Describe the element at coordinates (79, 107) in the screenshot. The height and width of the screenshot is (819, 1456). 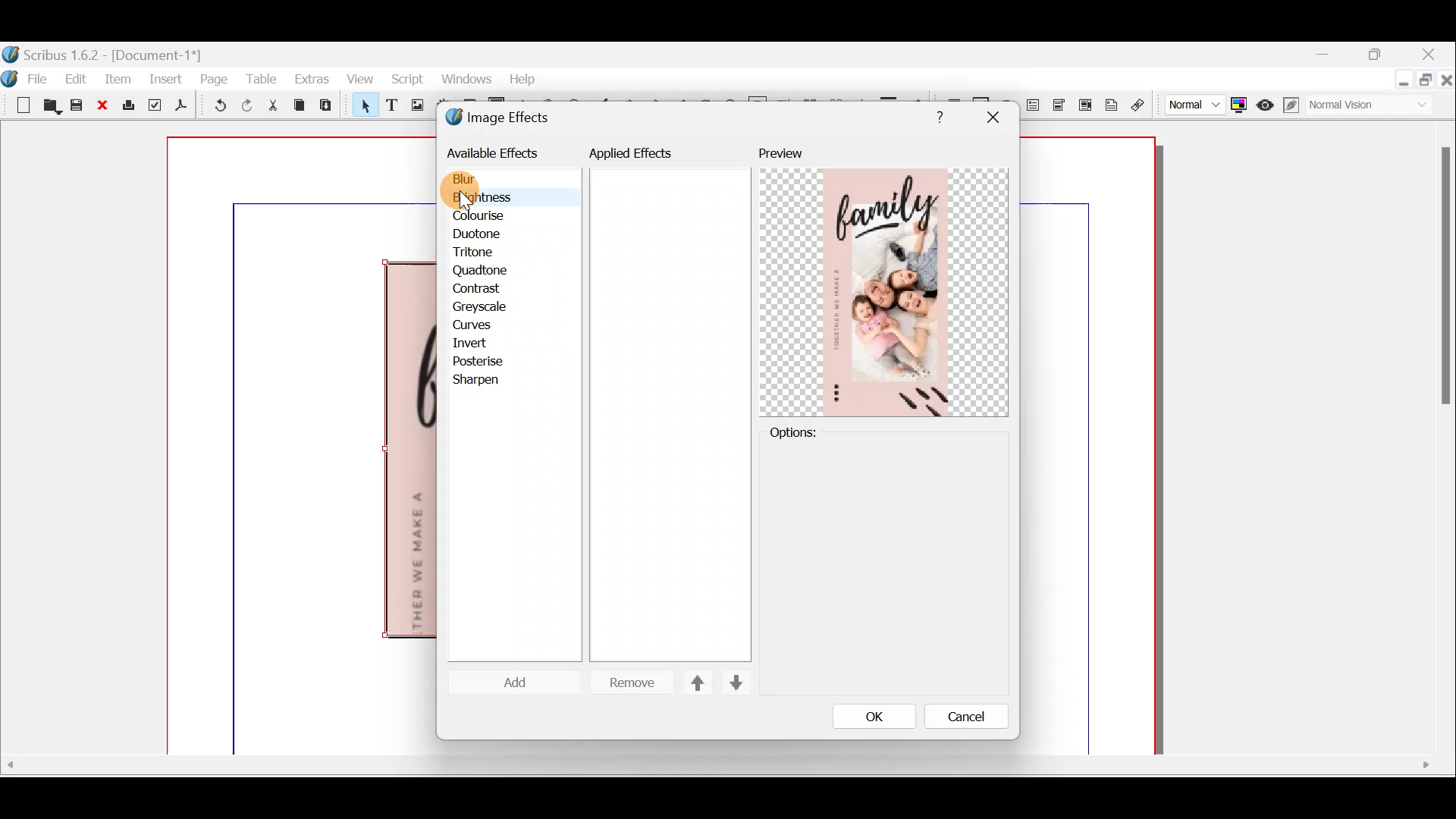
I see `Save` at that location.